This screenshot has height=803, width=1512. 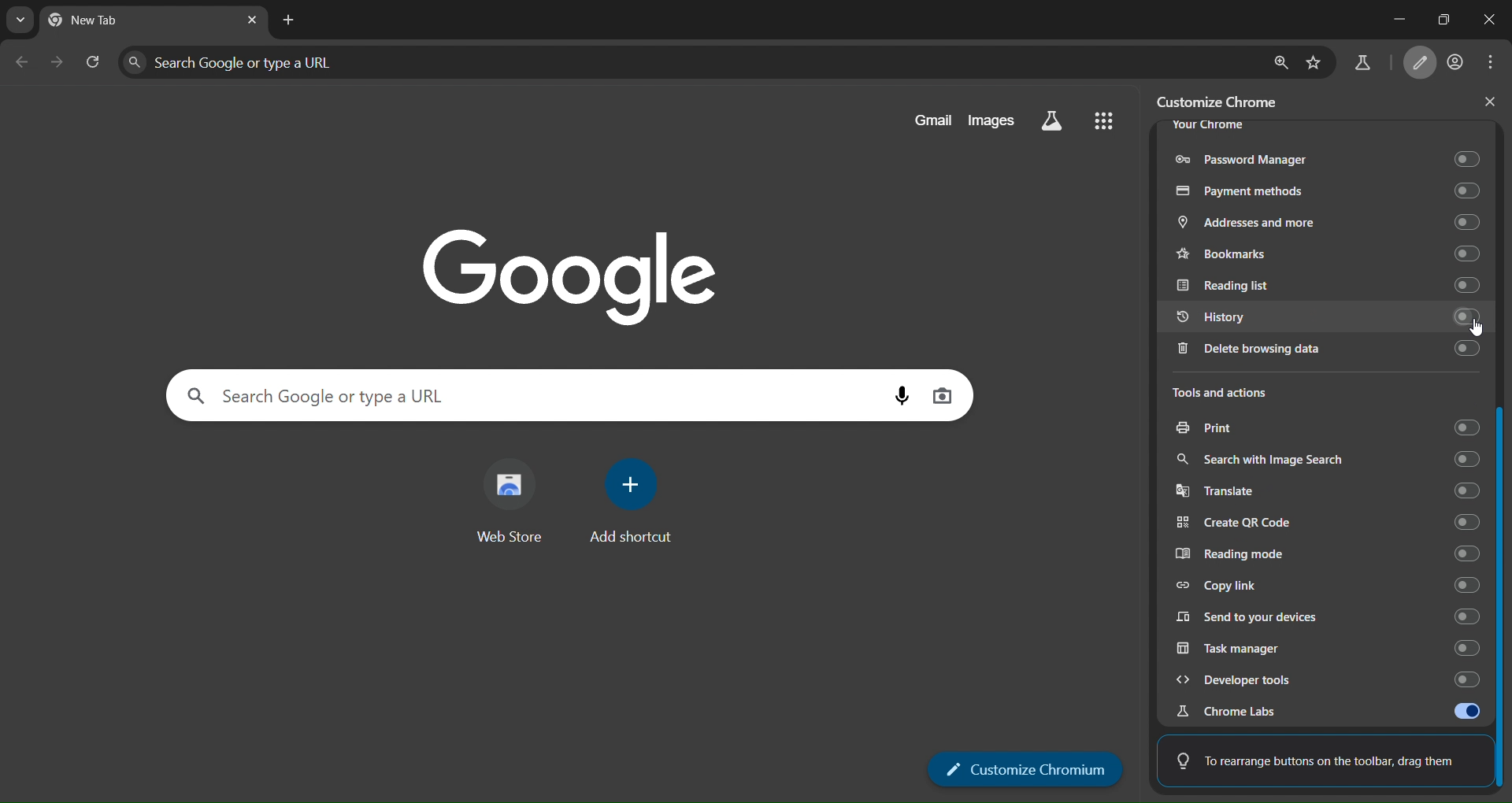 What do you see at coordinates (1328, 584) in the screenshot?
I see `copy link` at bounding box center [1328, 584].